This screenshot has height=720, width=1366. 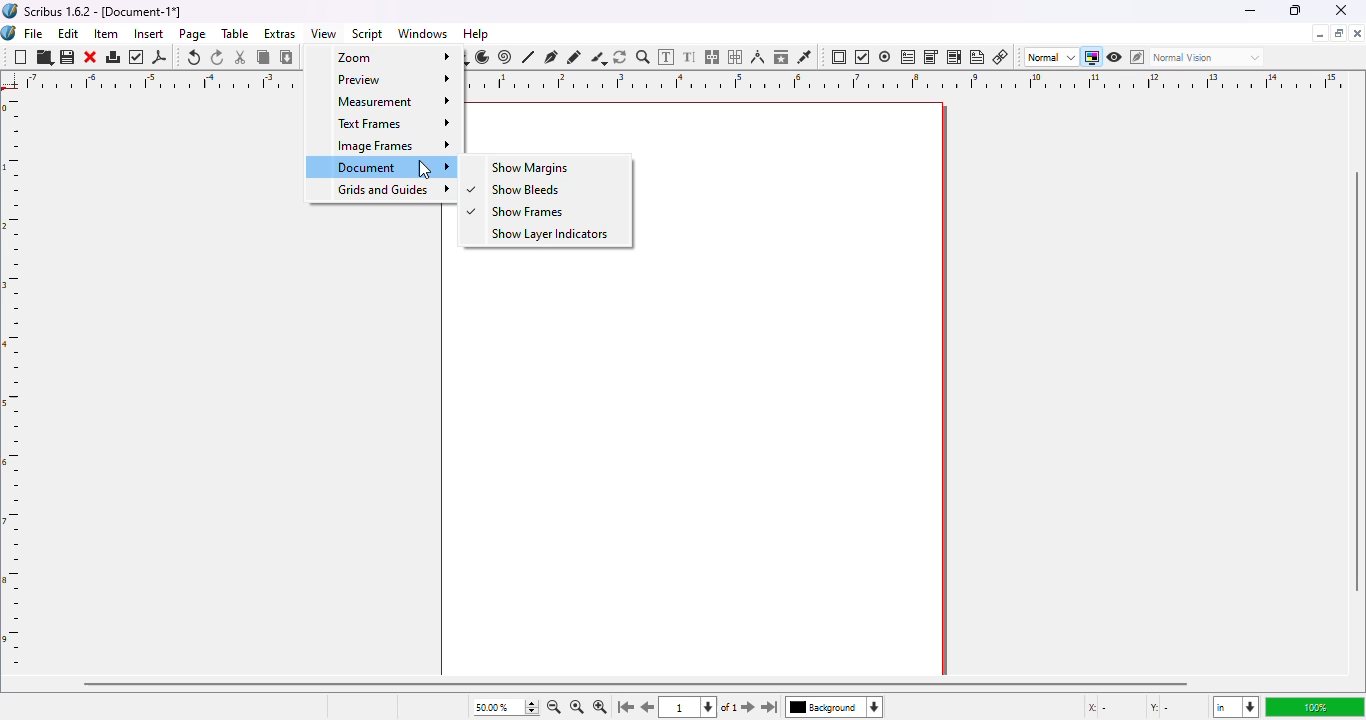 What do you see at coordinates (529, 57) in the screenshot?
I see `line` at bounding box center [529, 57].